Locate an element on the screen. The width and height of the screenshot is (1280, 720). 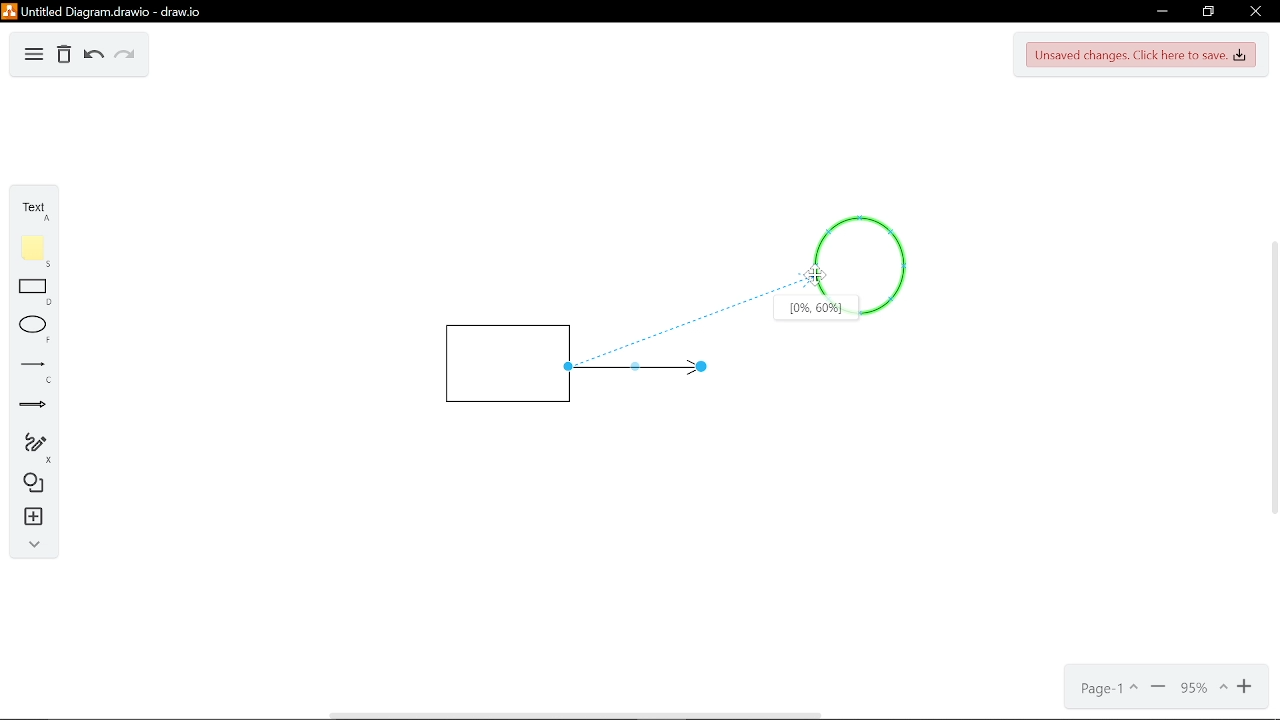
Diagram is located at coordinates (30, 482).